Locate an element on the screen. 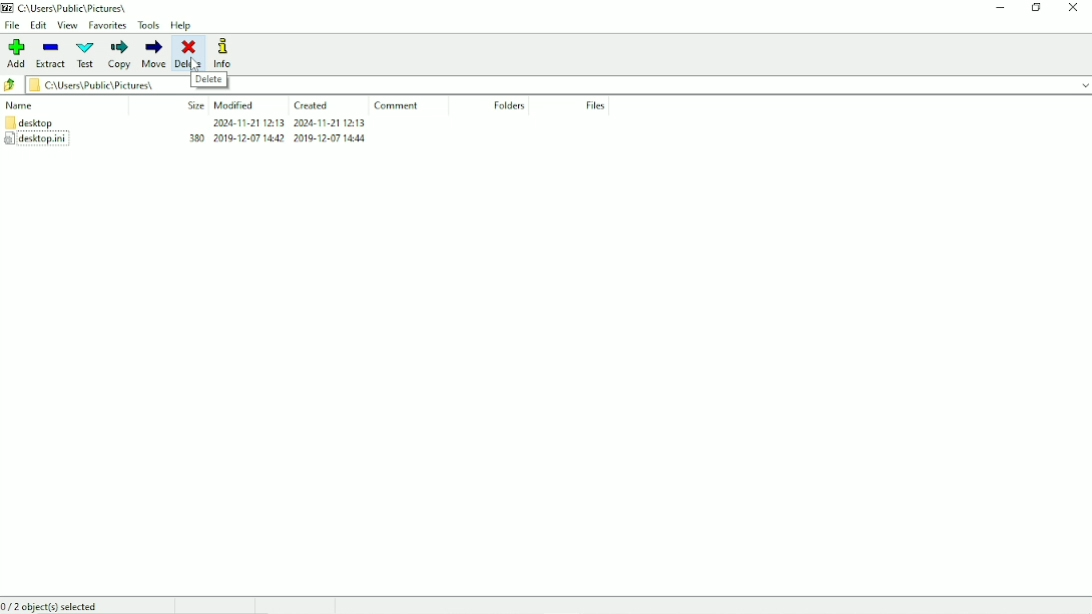 The image size is (1092, 614). desktop is located at coordinates (35, 123).